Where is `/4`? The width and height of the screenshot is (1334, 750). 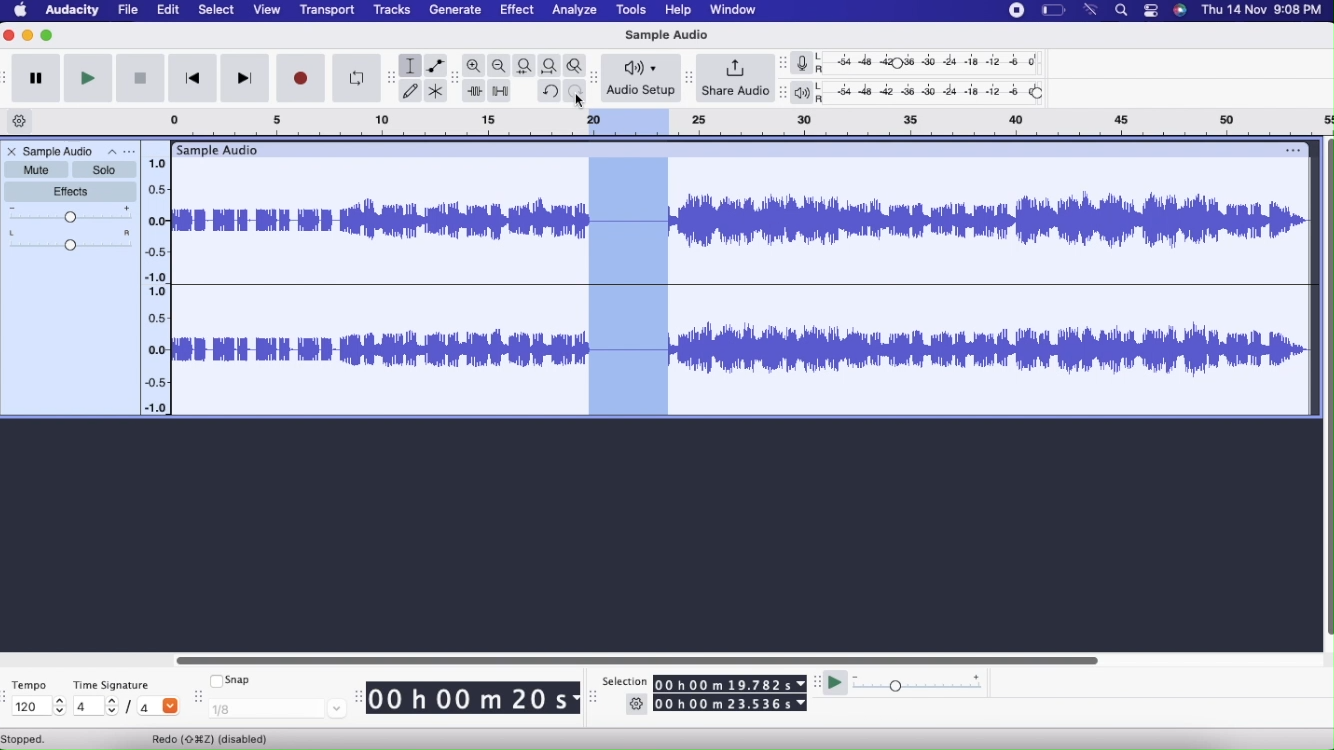 /4 is located at coordinates (156, 705).